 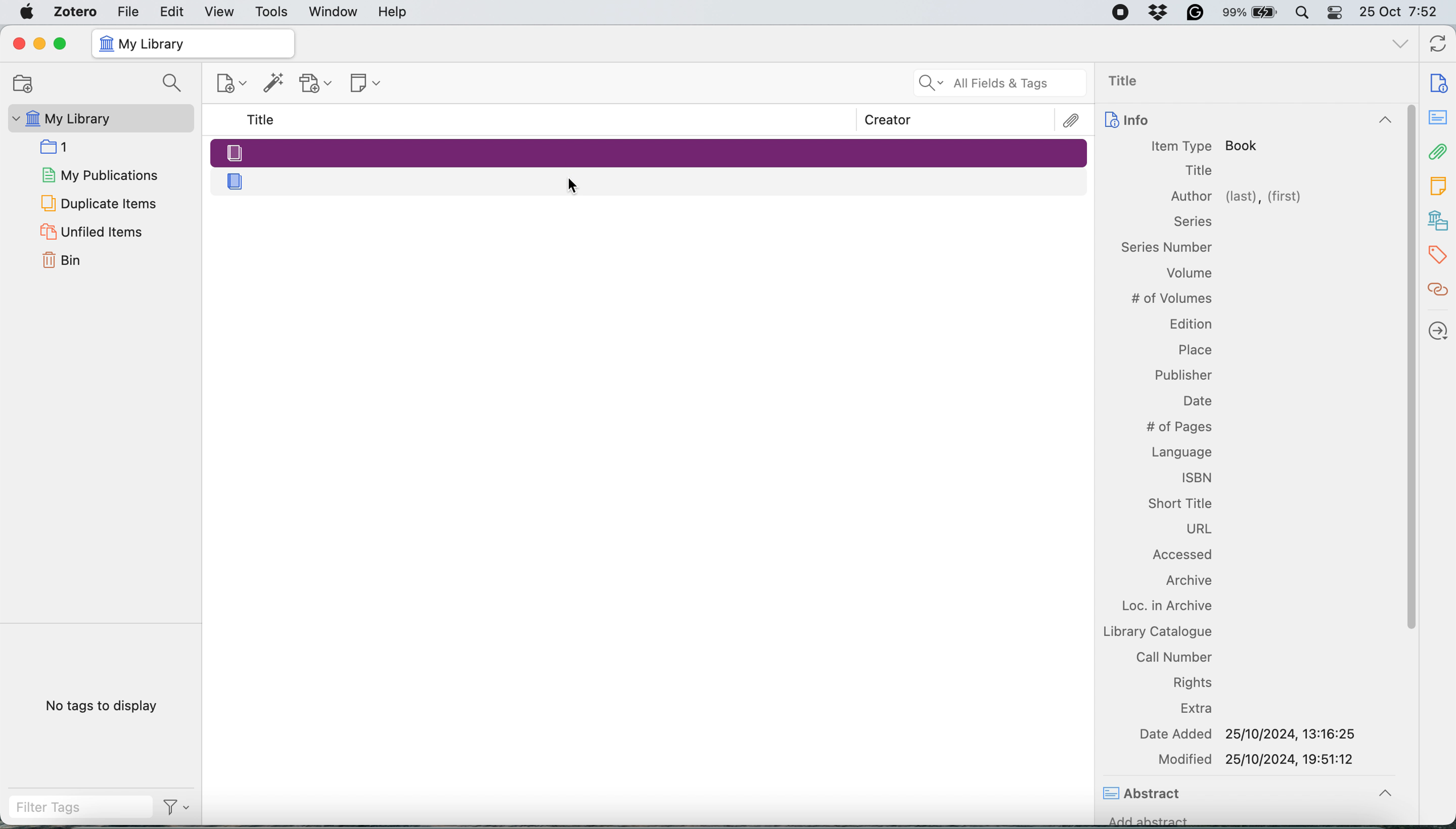 What do you see at coordinates (1199, 709) in the screenshot?
I see `Extra` at bounding box center [1199, 709].